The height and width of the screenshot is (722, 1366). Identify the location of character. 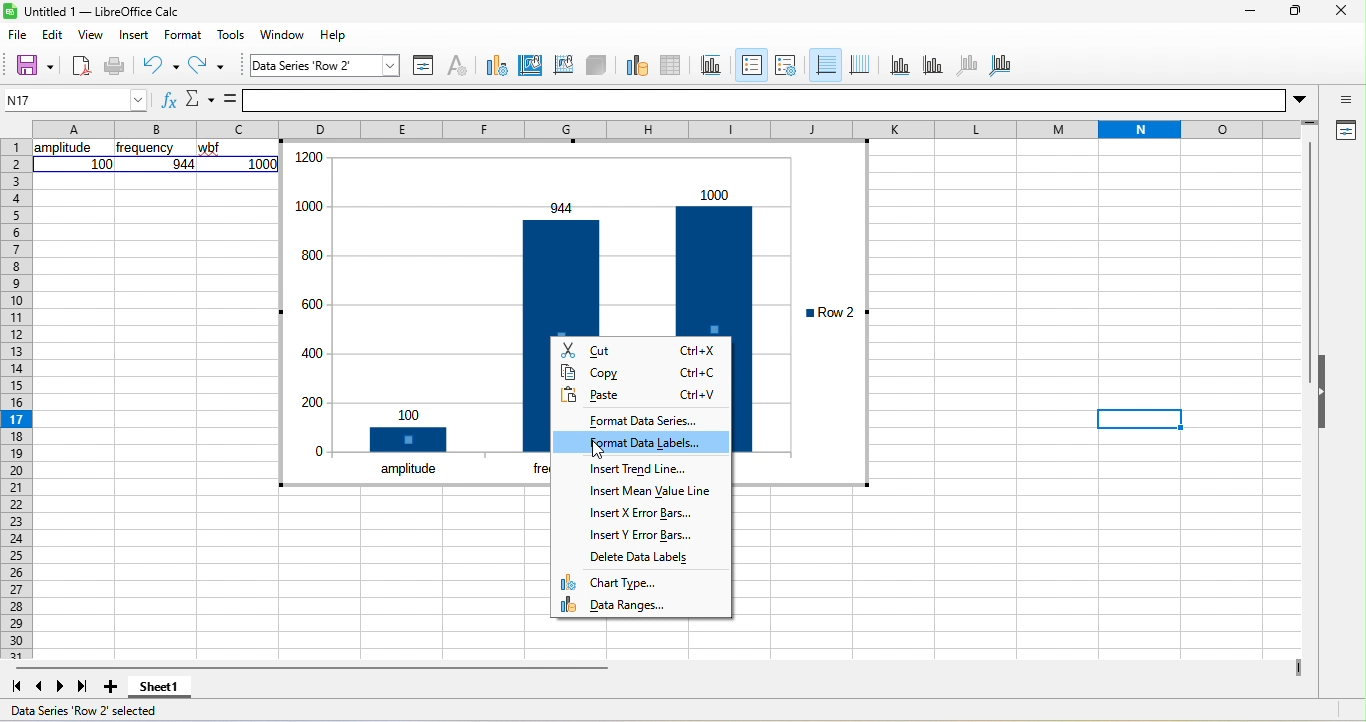
(459, 65).